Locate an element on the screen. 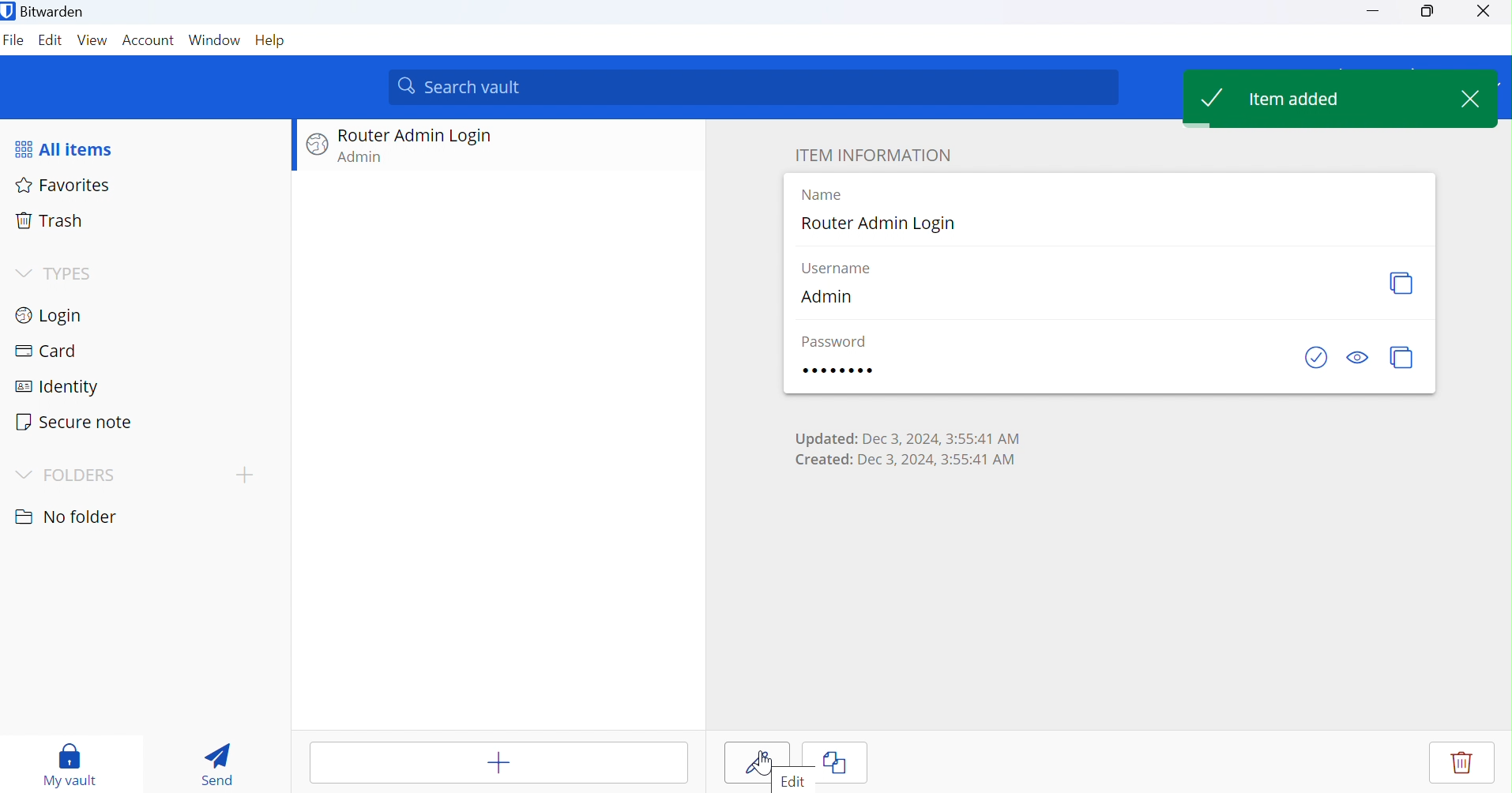  Admin is located at coordinates (826, 298).